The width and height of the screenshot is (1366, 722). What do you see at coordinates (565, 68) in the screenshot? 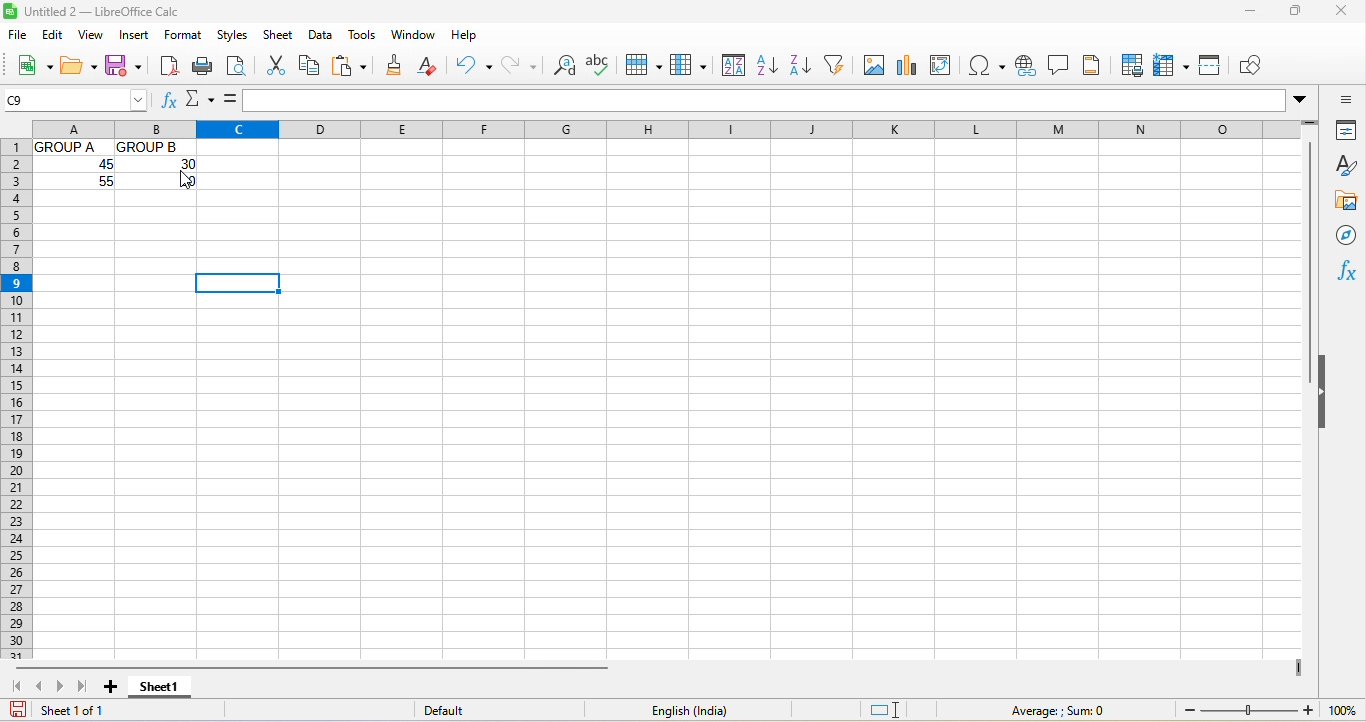
I see `find and replace` at bounding box center [565, 68].